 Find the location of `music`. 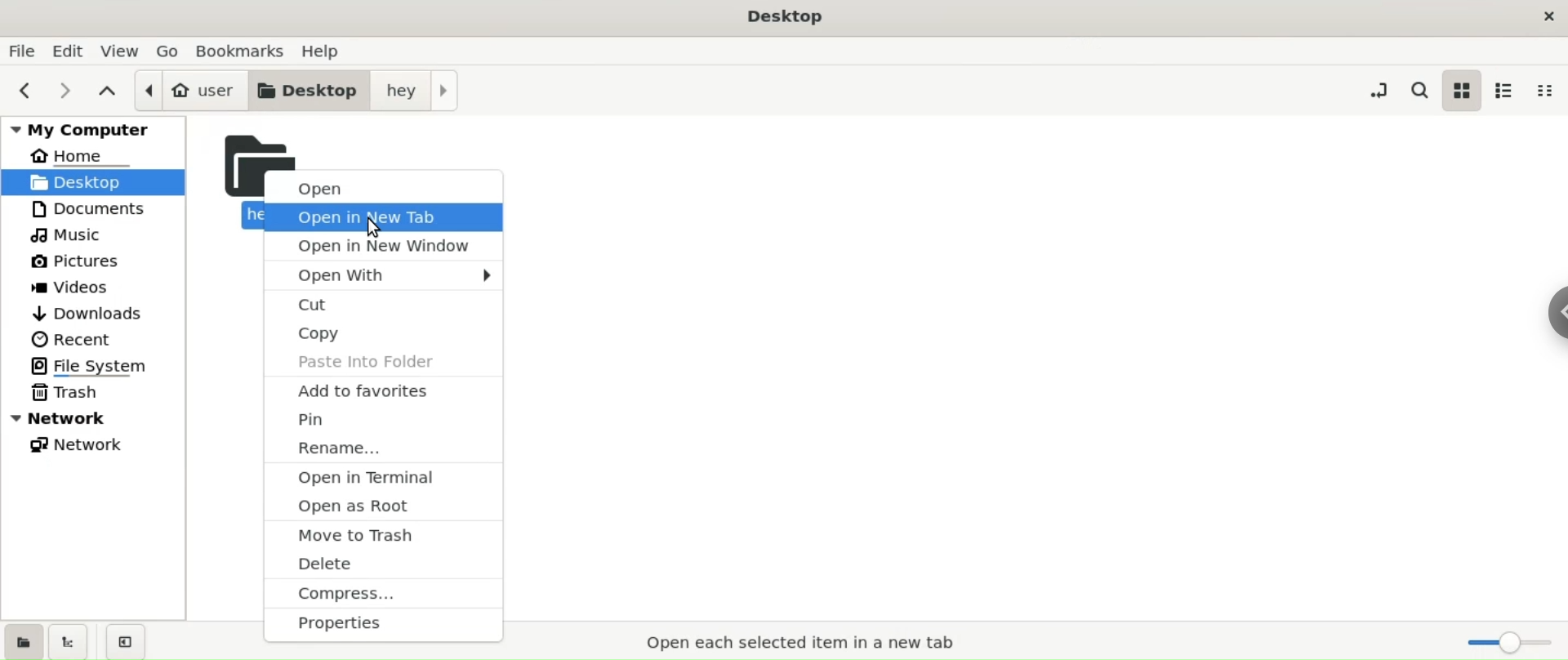

music is located at coordinates (100, 235).